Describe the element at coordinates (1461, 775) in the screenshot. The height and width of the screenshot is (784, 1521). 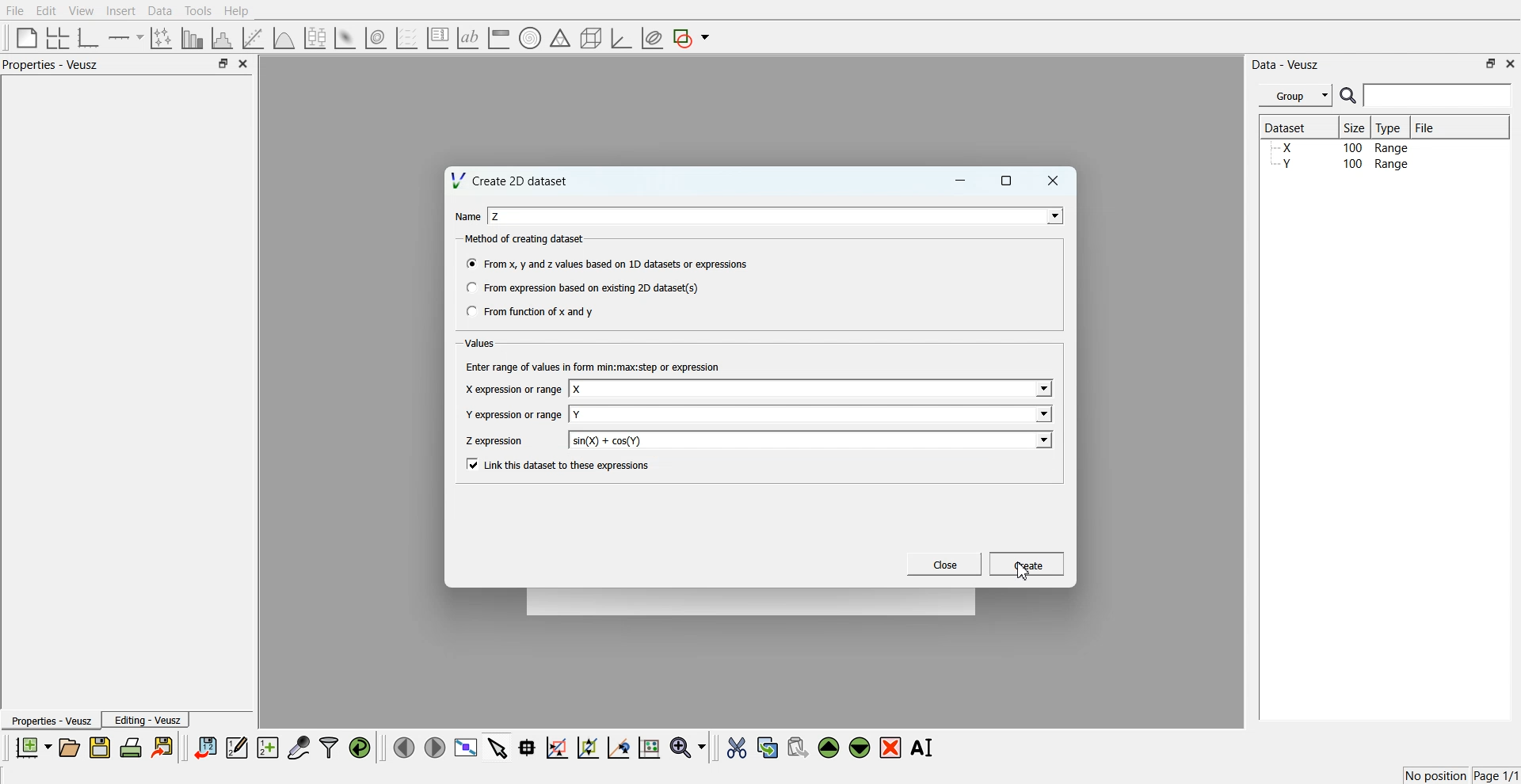
I see `No position Page 1/1` at that location.